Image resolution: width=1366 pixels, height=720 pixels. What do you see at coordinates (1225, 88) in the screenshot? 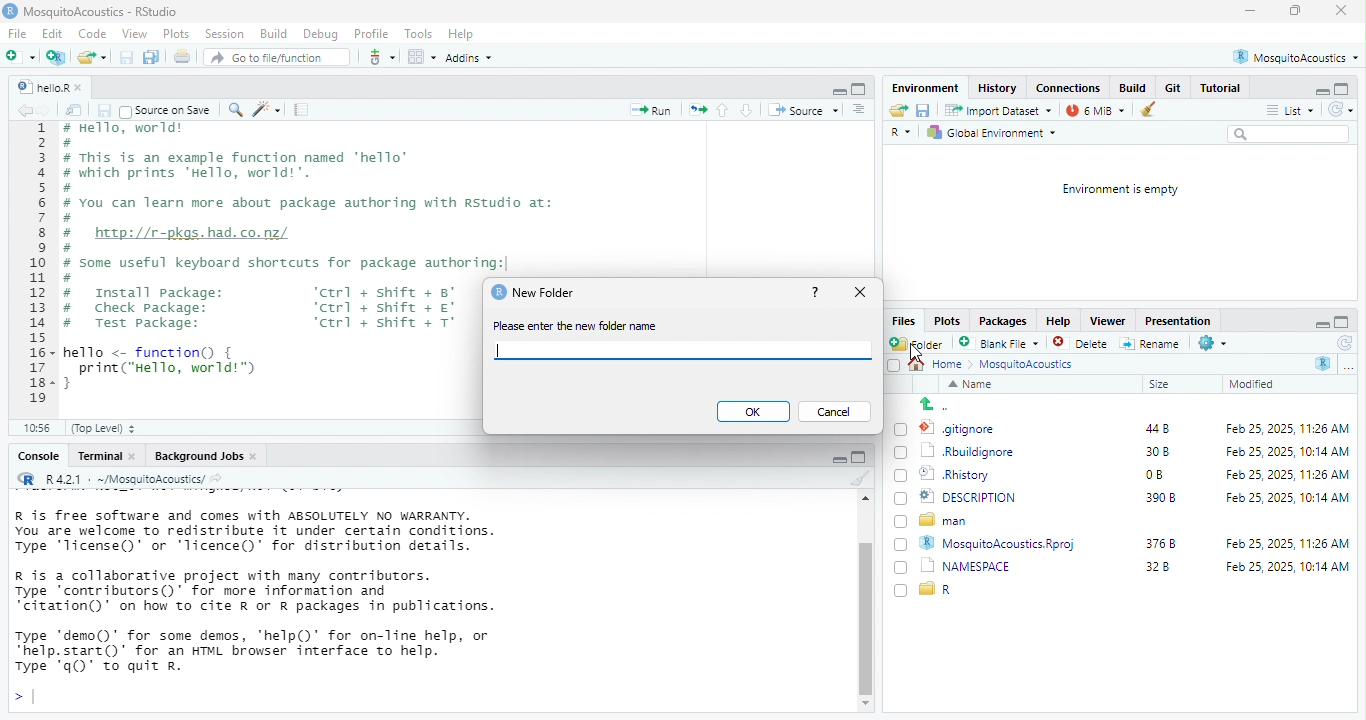
I see `Tutorial` at bounding box center [1225, 88].